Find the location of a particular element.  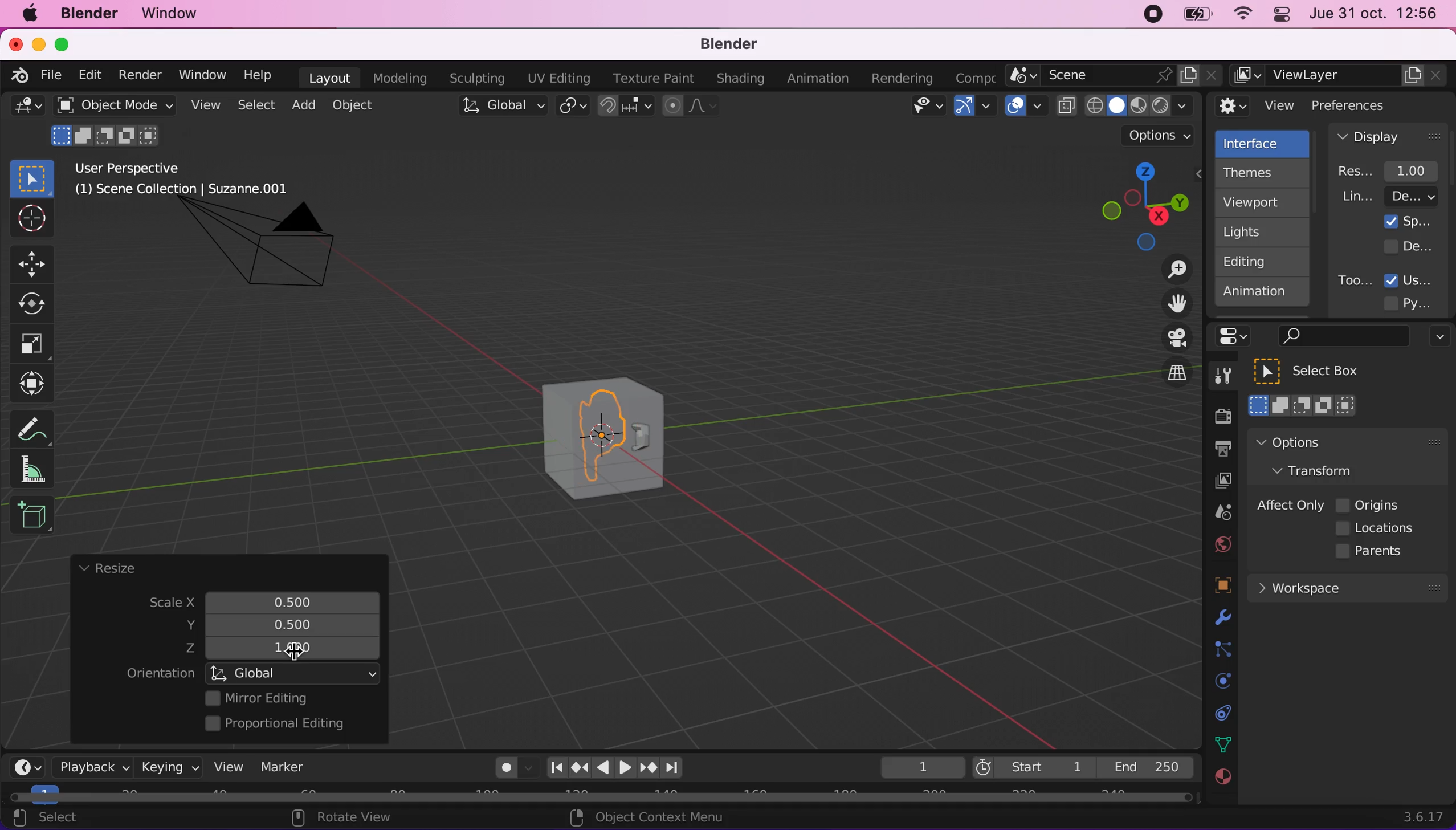

resolution scale is located at coordinates (1394, 170).